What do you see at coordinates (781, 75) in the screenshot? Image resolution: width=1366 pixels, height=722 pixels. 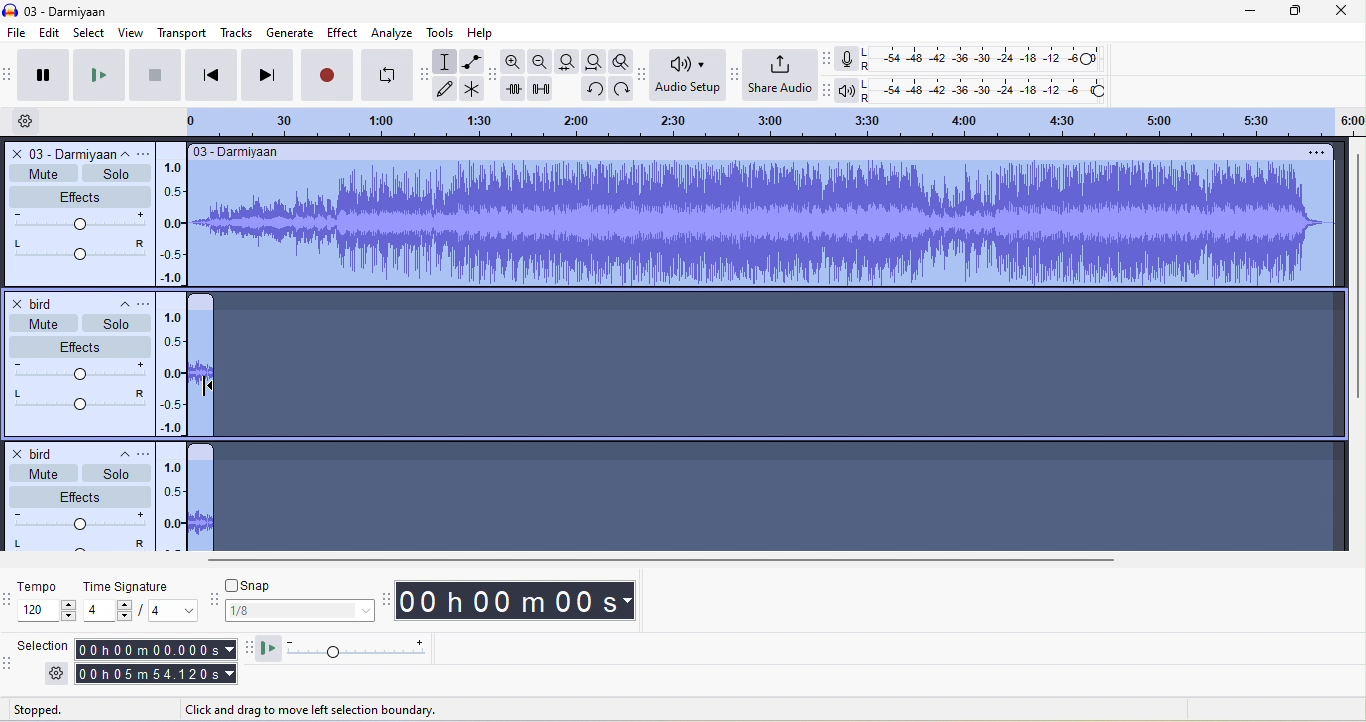 I see `share audio` at bounding box center [781, 75].